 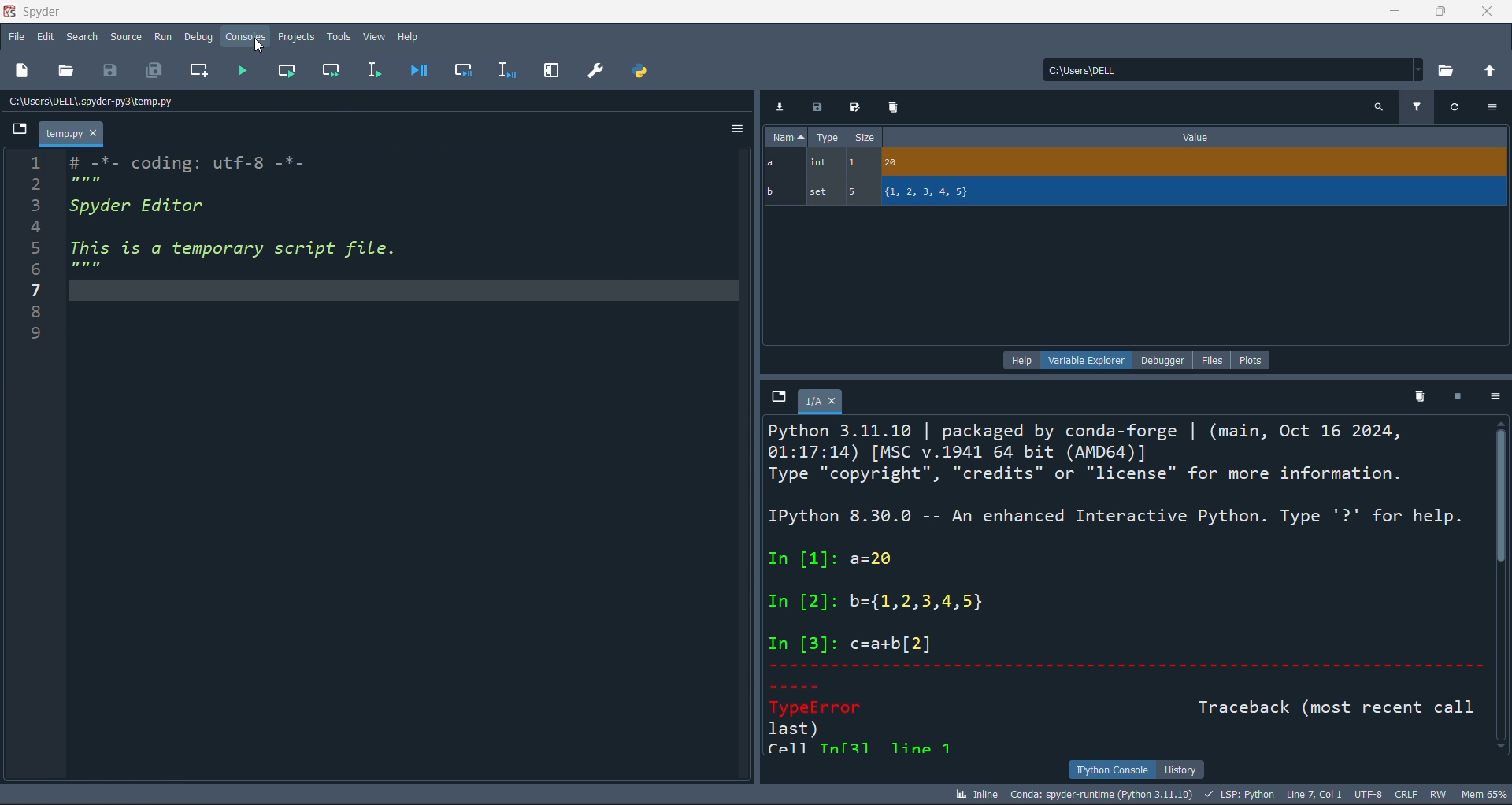 What do you see at coordinates (869, 136) in the screenshot?
I see `size` at bounding box center [869, 136].